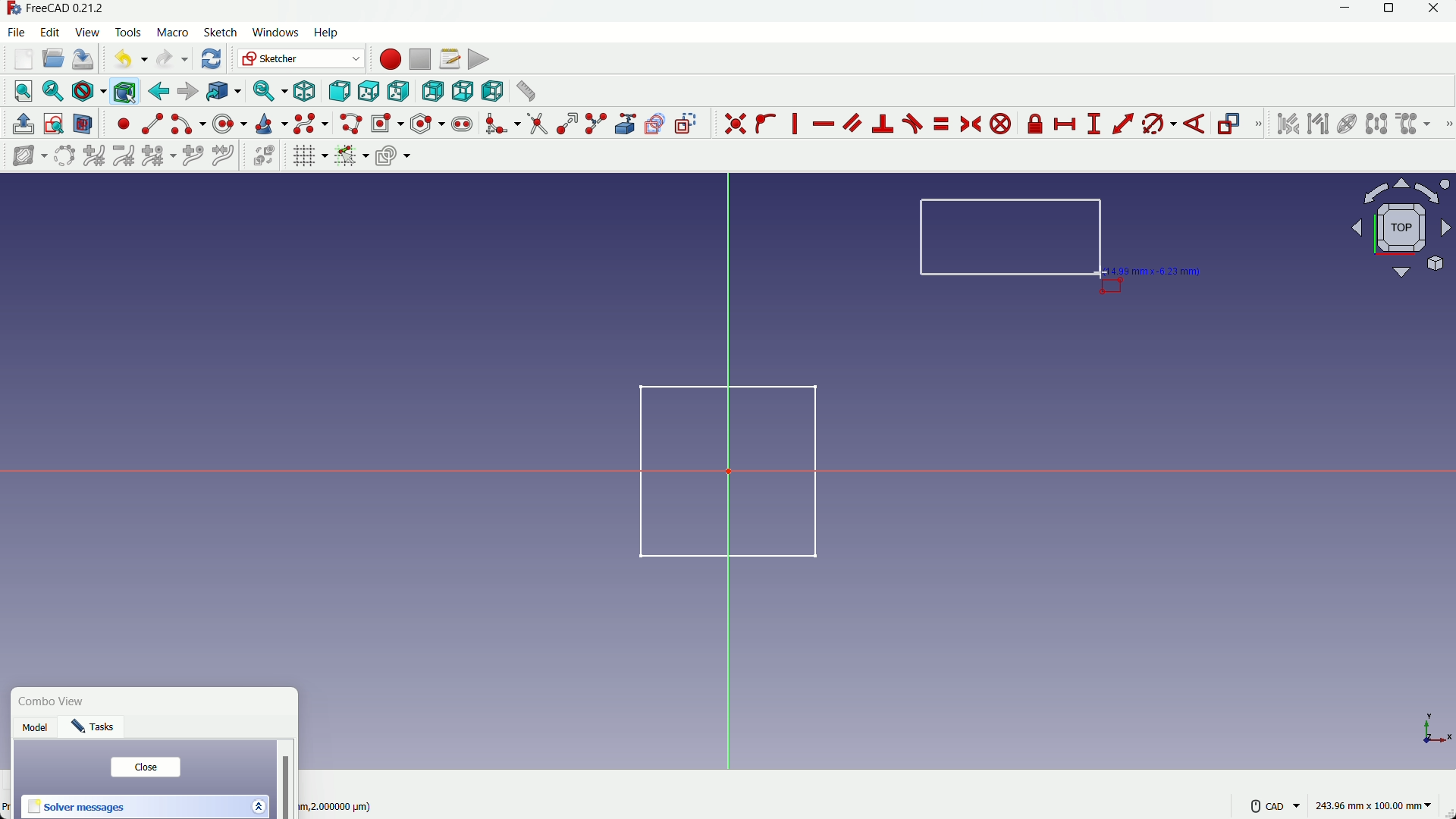 Image resolution: width=1456 pixels, height=819 pixels. What do you see at coordinates (462, 91) in the screenshot?
I see `bottom view` at bounding box center [462, 91].